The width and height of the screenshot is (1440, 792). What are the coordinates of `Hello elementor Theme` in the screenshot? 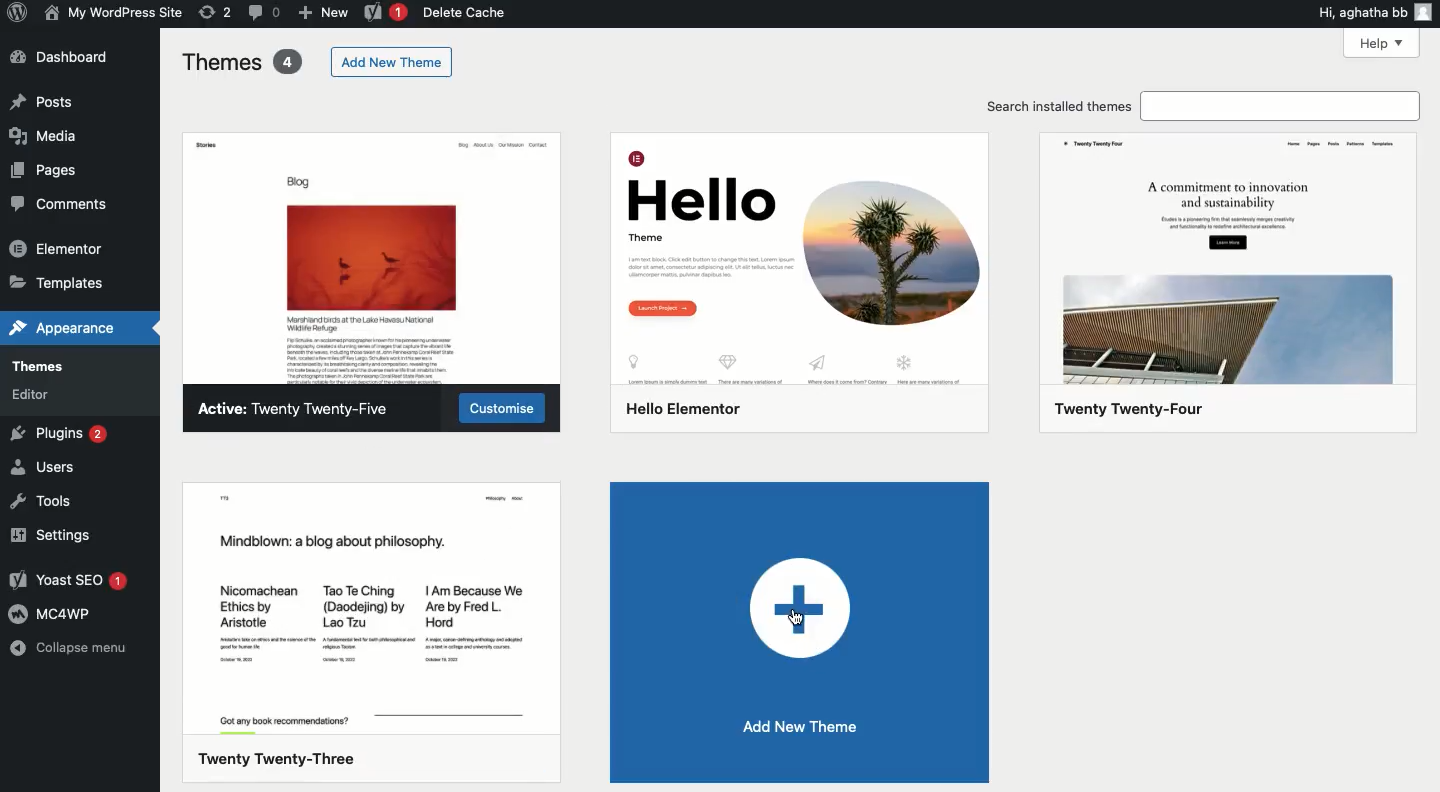 It's located at (797, 282).